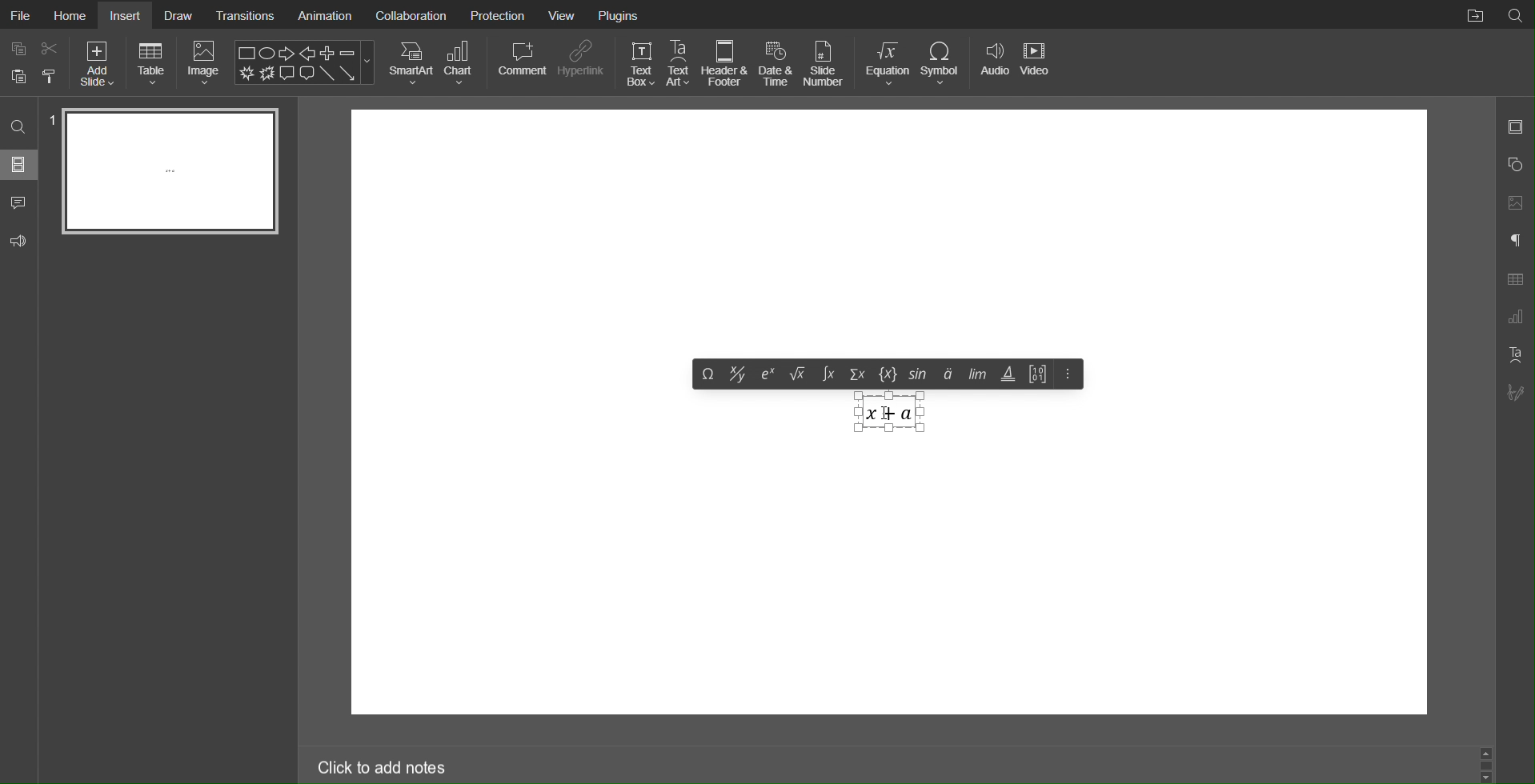 This screenshot has width=1535, height=784. What do you see at coordinates (778, 62) in the screenshot?
I see `Date & Time` at bounding box center [778, 62].